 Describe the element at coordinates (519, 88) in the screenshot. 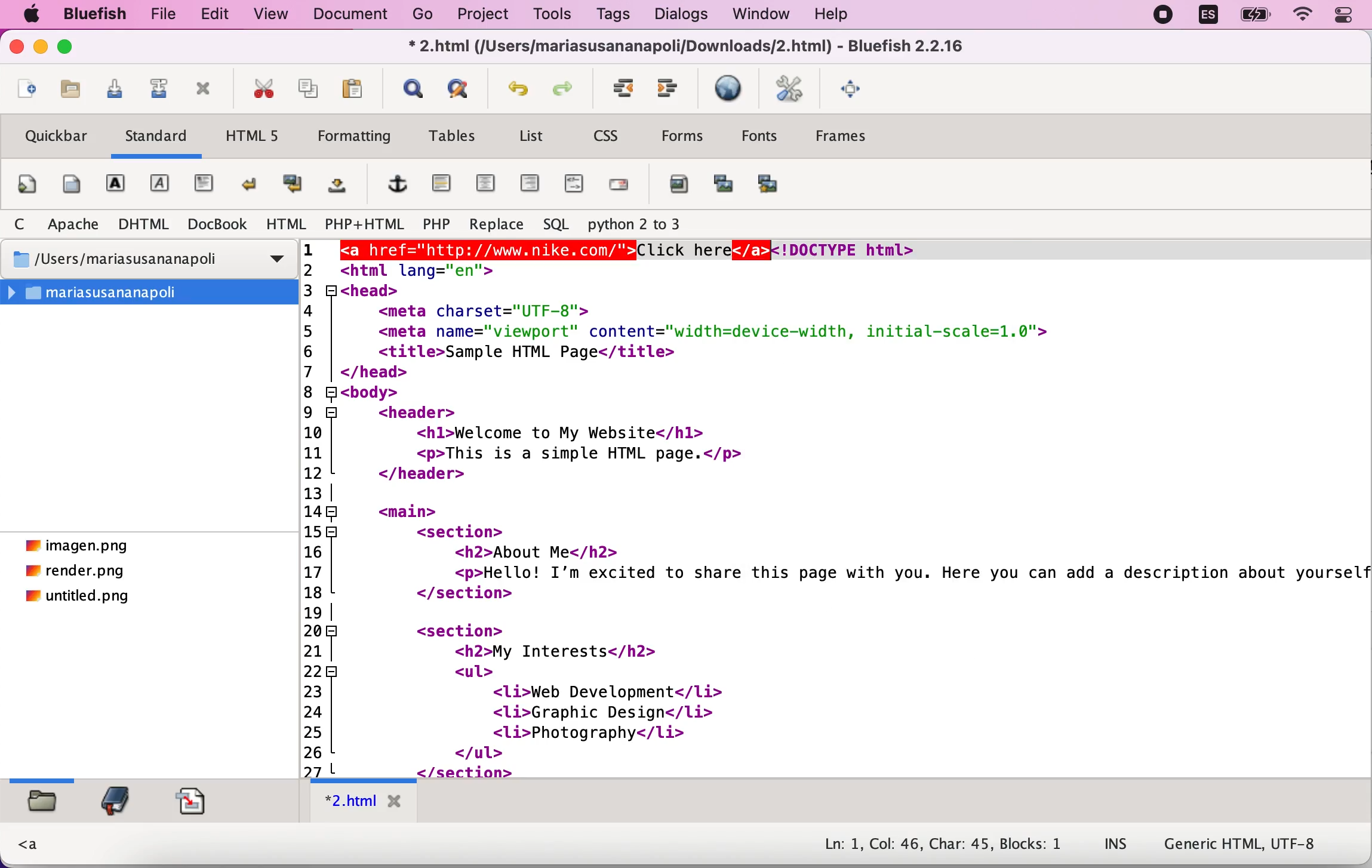

I see `undo` at that location.